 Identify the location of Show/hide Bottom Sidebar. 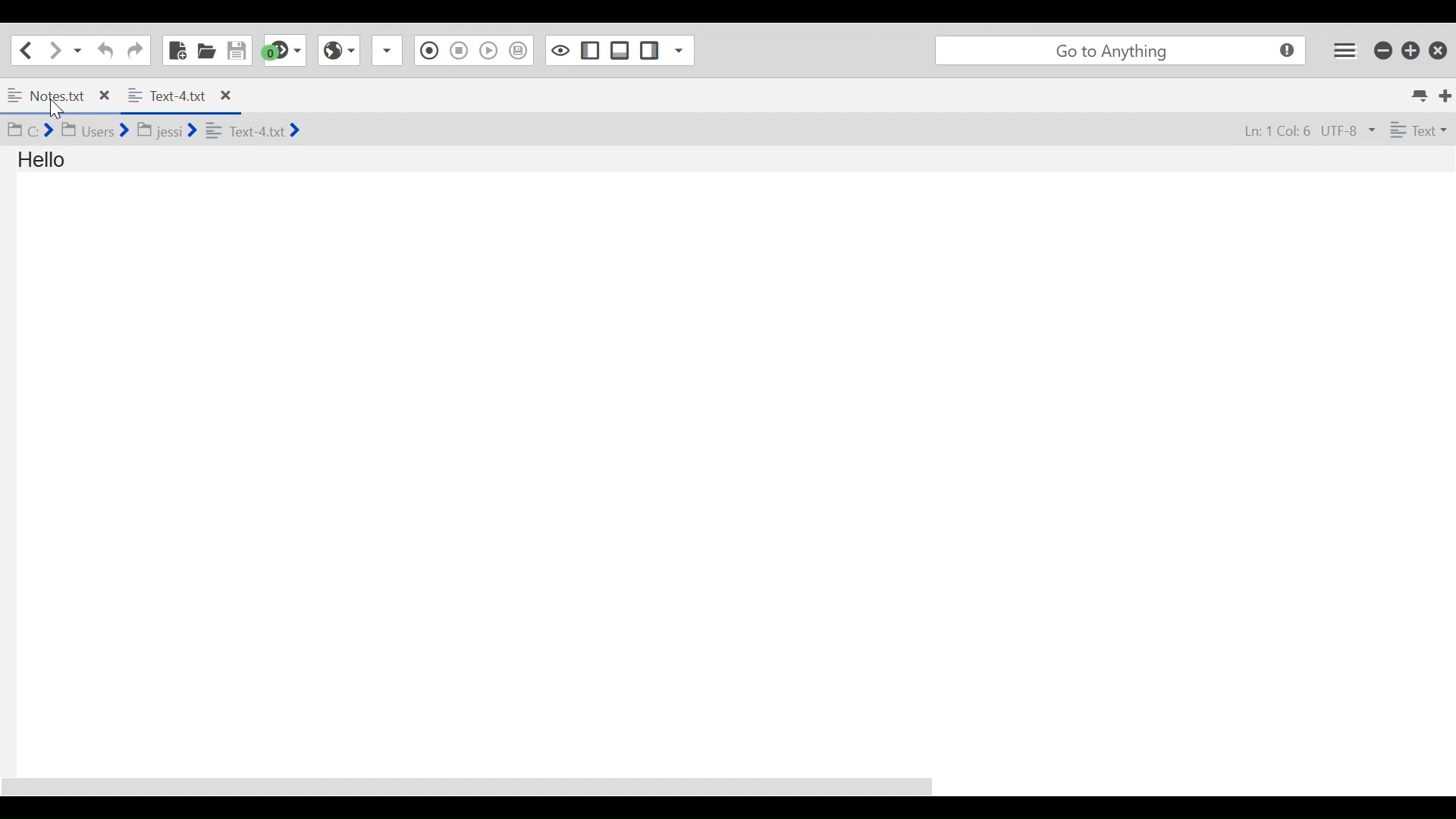
(620, 50).